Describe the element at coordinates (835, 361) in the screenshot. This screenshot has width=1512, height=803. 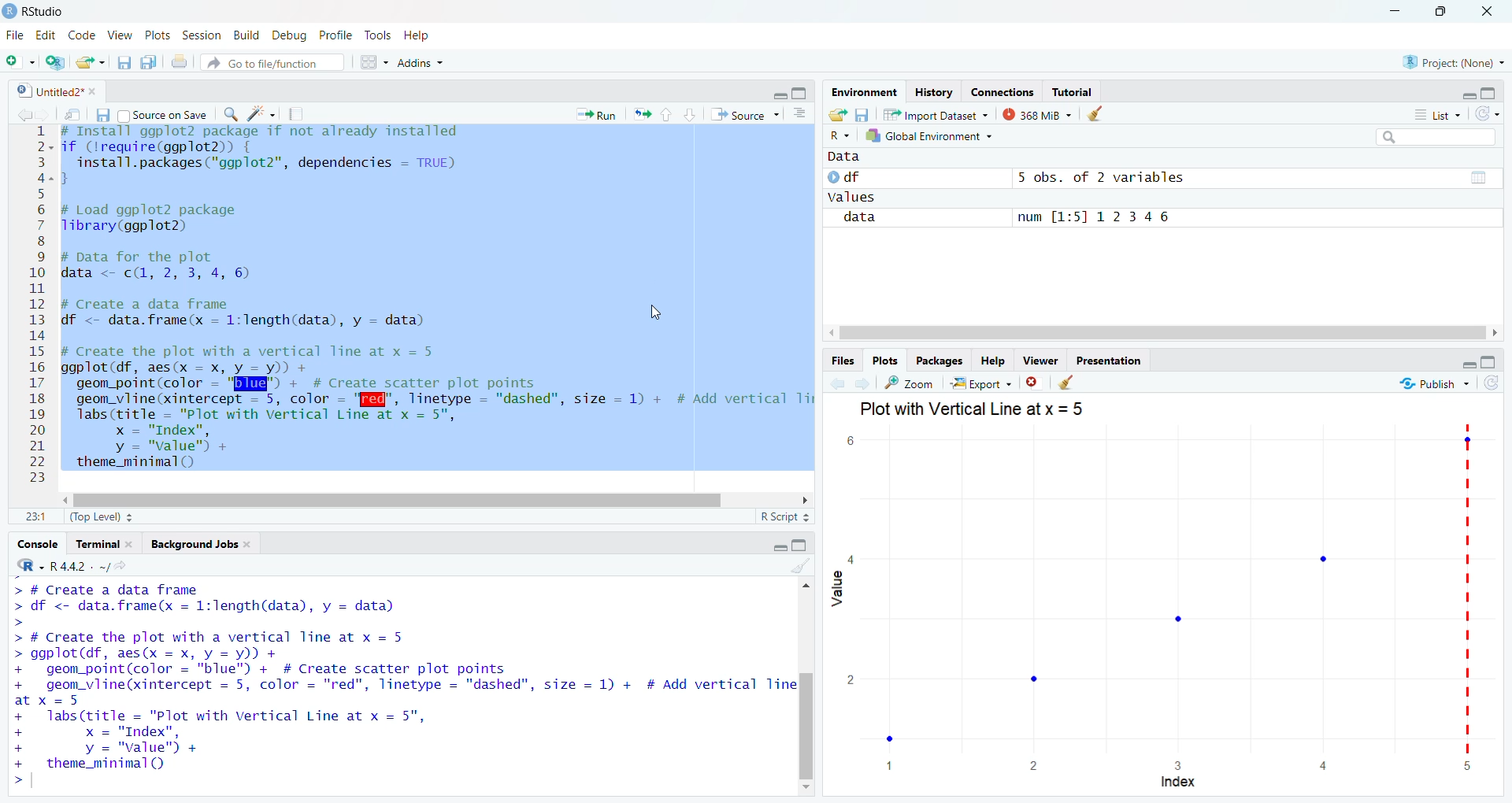
I see `Files` at that location.